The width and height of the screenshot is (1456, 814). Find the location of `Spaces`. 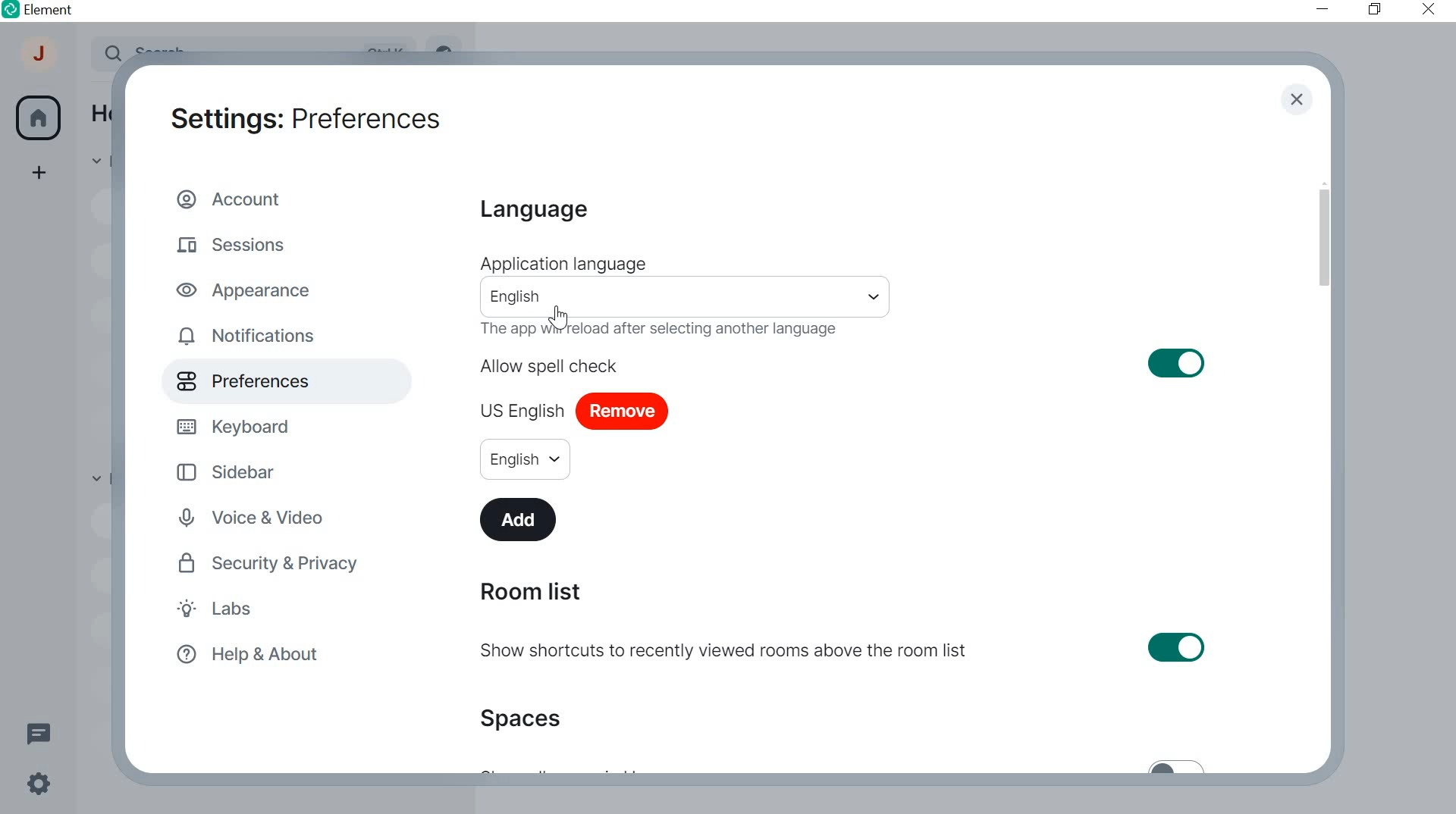

Spaces is located at coordinates (526, 718).